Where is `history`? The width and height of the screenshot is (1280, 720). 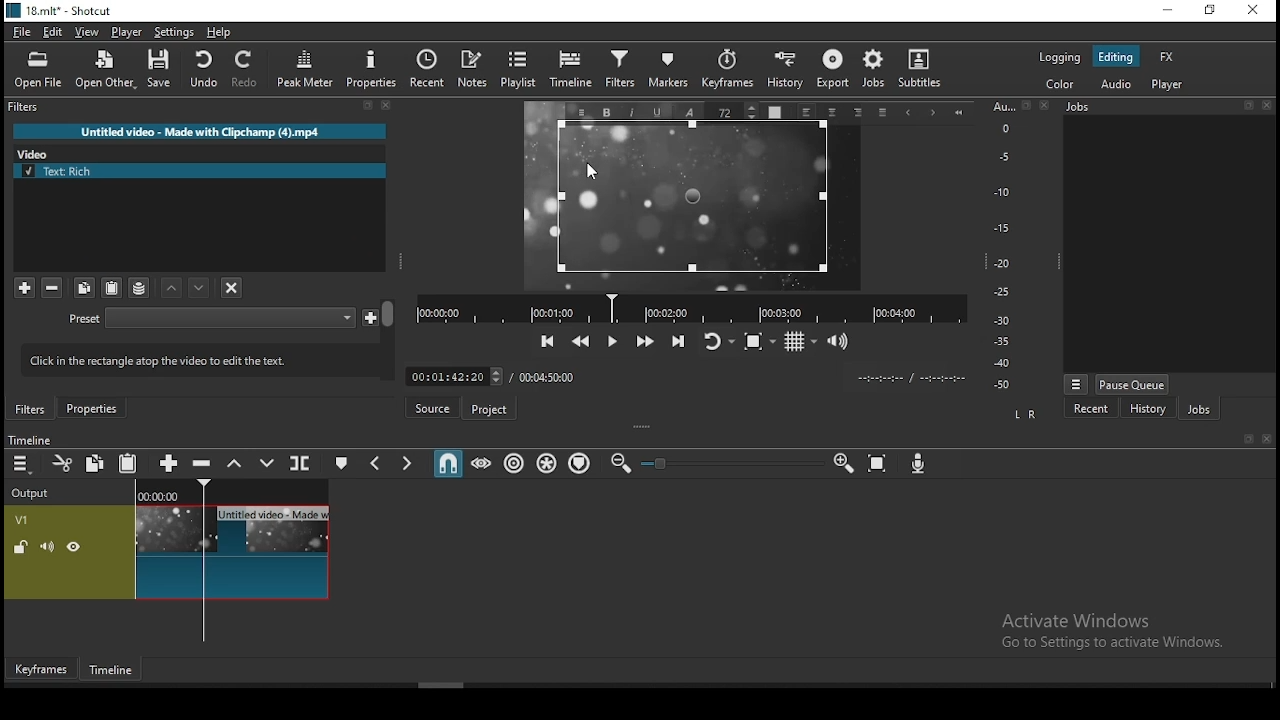
history is located at coordinates (784, 73).